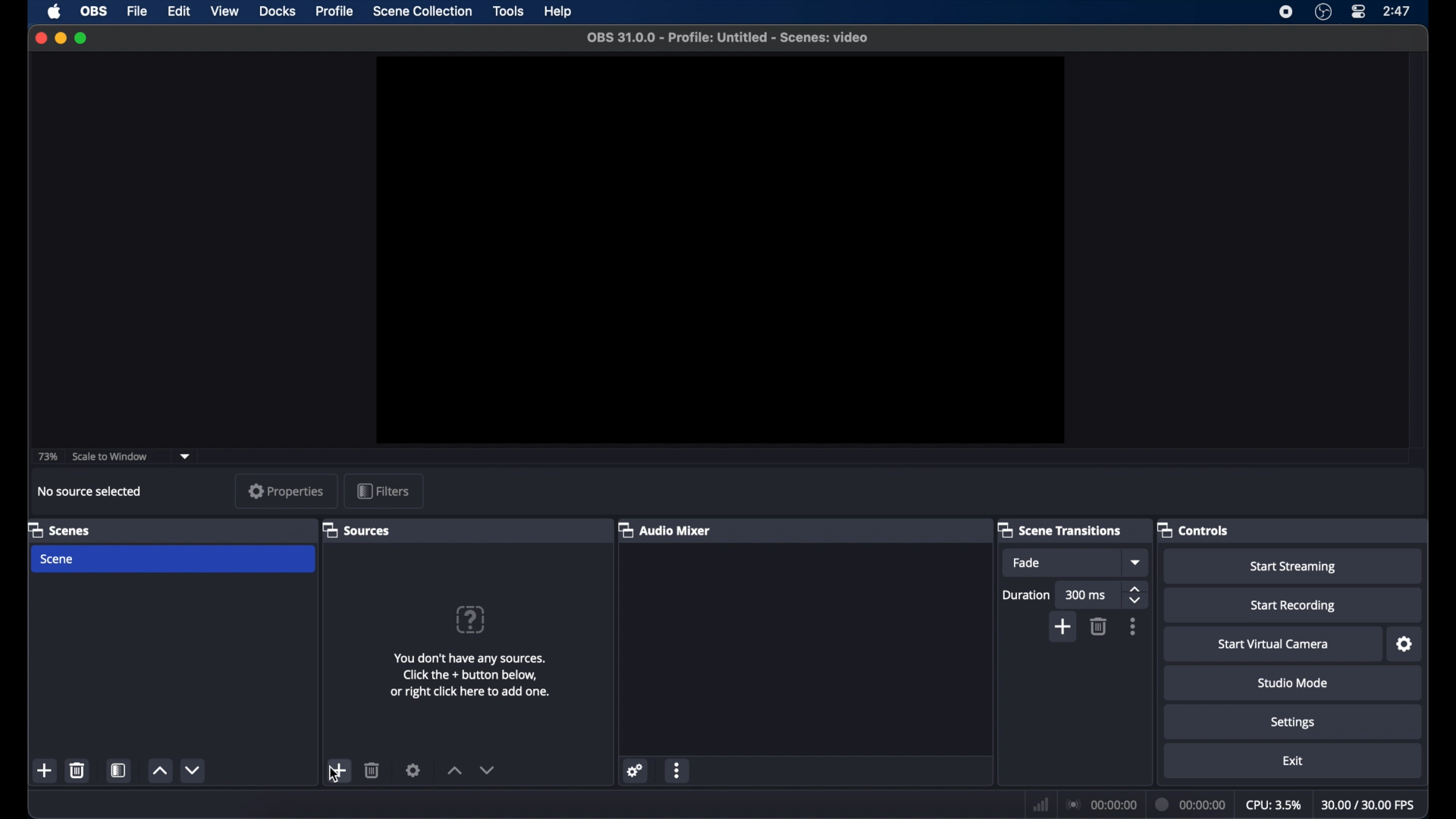  What do you see at coordinates (226, 11) in the screenshot?
I see `view` at bounding box center [226, 11].